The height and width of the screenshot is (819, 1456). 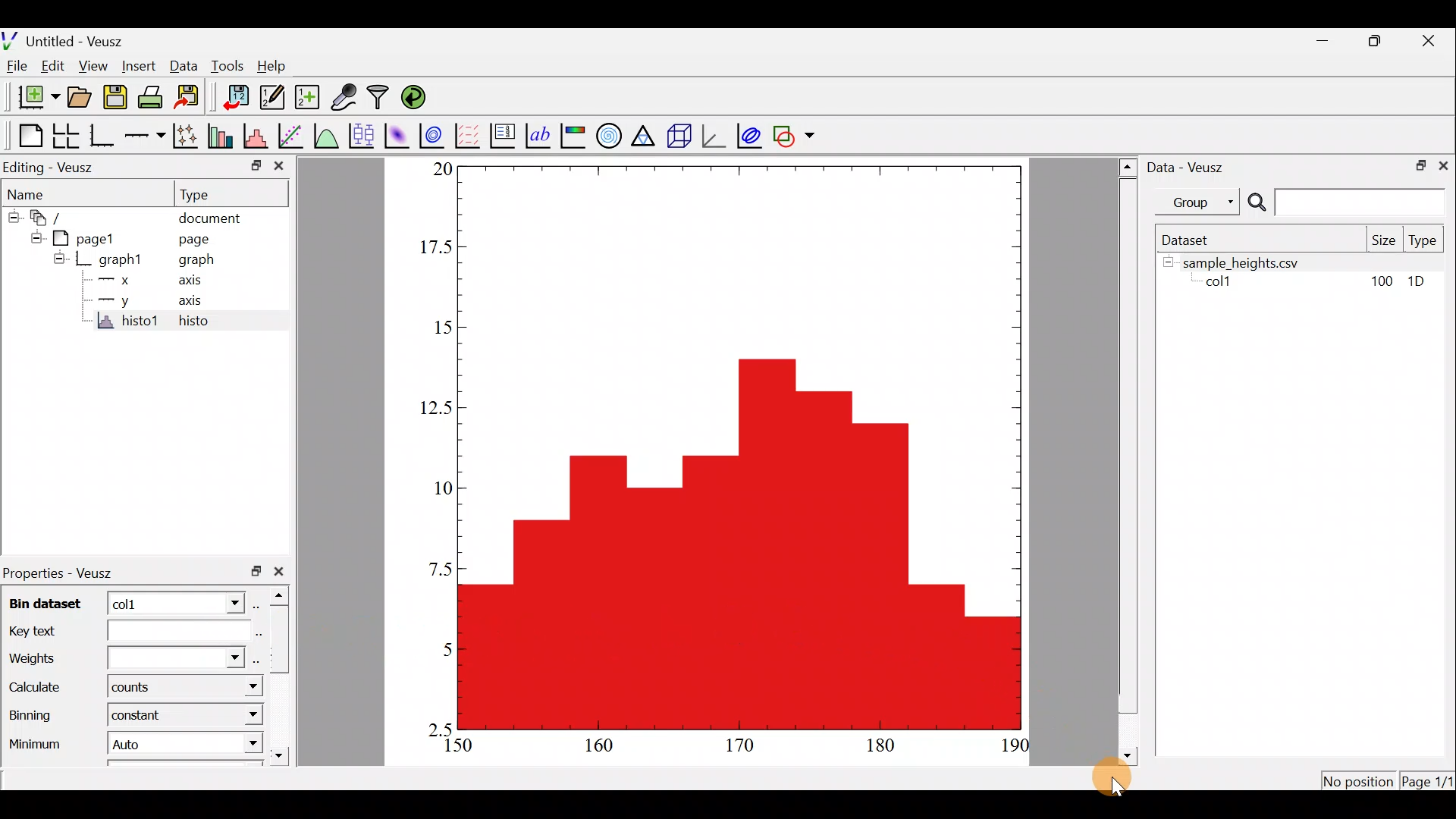 What do you see at coordinates (259, 604) in the screenshot?
I see `select using dataset browser` at bounding box center [259, 604].